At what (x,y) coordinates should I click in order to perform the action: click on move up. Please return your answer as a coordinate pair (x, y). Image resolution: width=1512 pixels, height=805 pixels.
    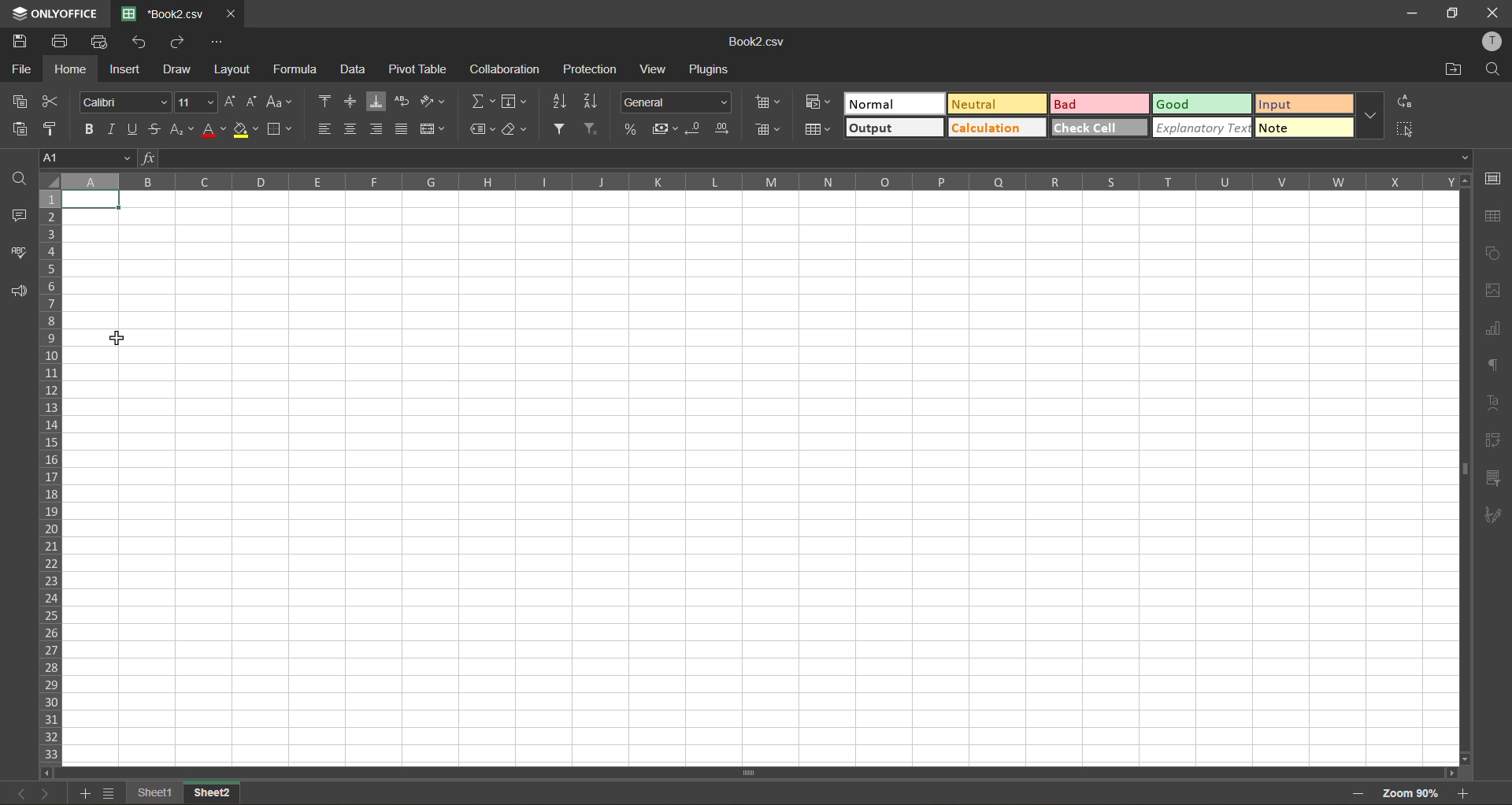
    Looking at the image, I should click on (1463, 181).